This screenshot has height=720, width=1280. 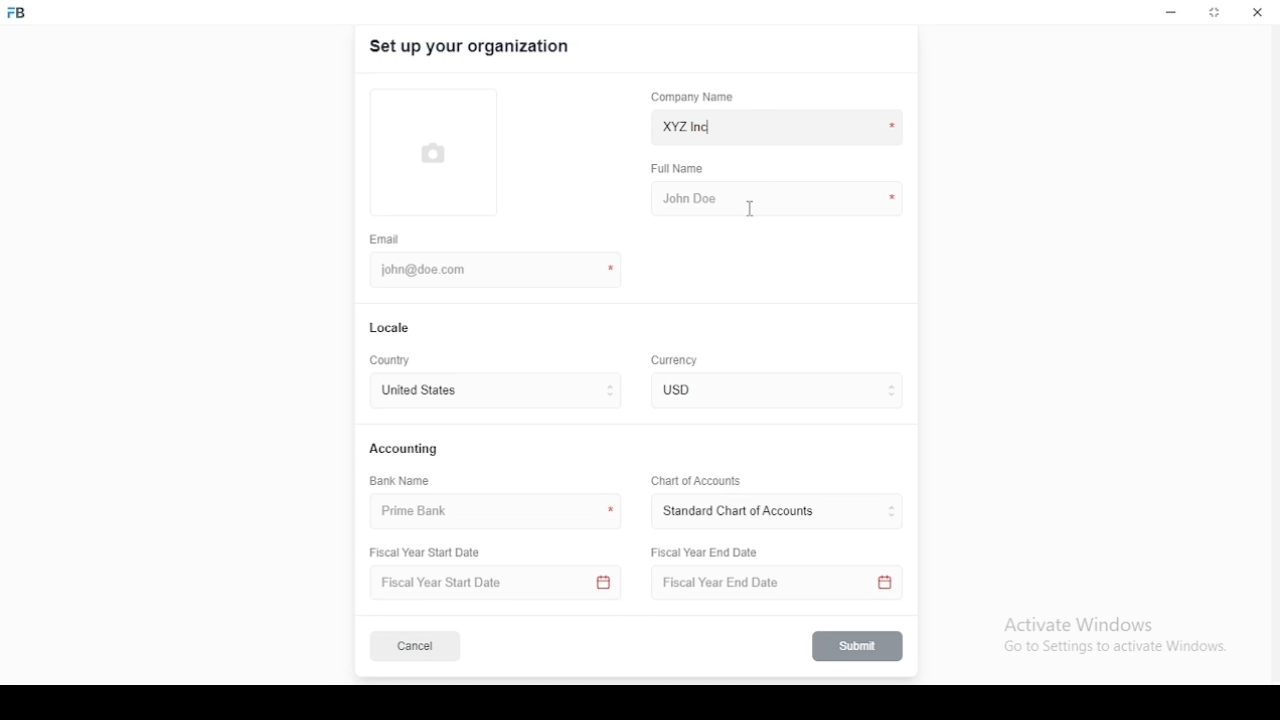 I want to click on submit, so click(x=859, y=646).